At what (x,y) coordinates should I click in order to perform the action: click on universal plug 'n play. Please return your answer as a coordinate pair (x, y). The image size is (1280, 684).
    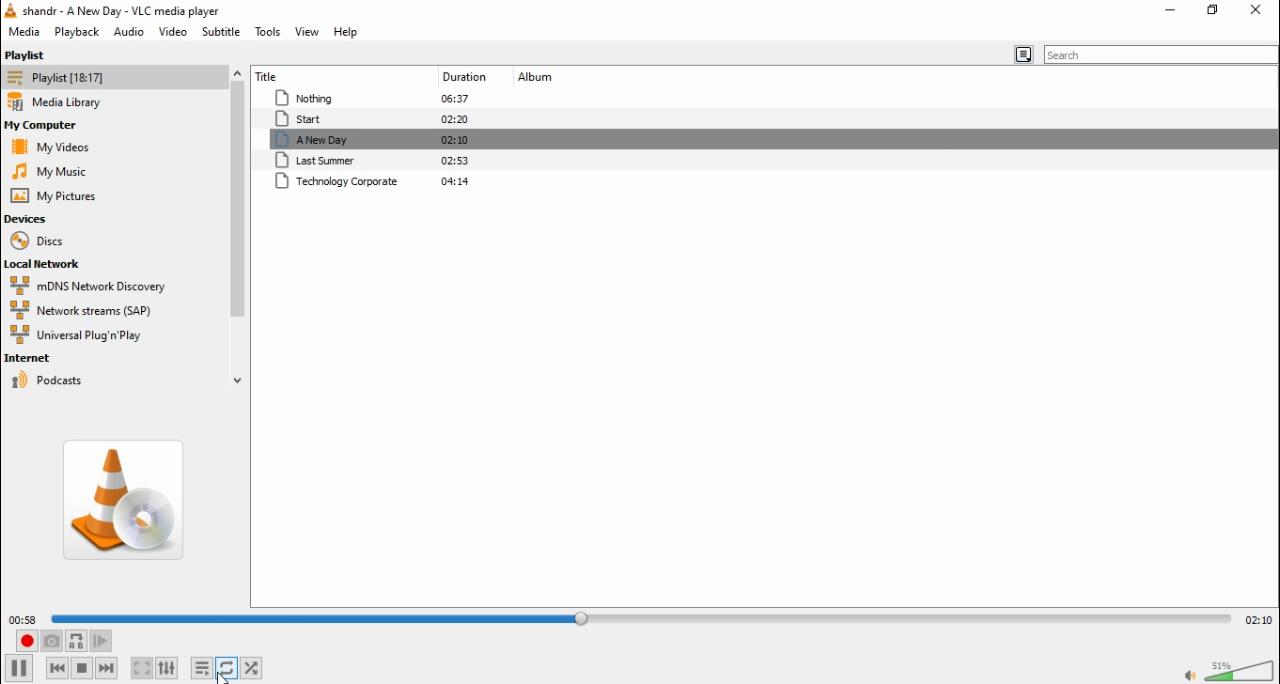
    Looking at the image, I should click on (75, 336).